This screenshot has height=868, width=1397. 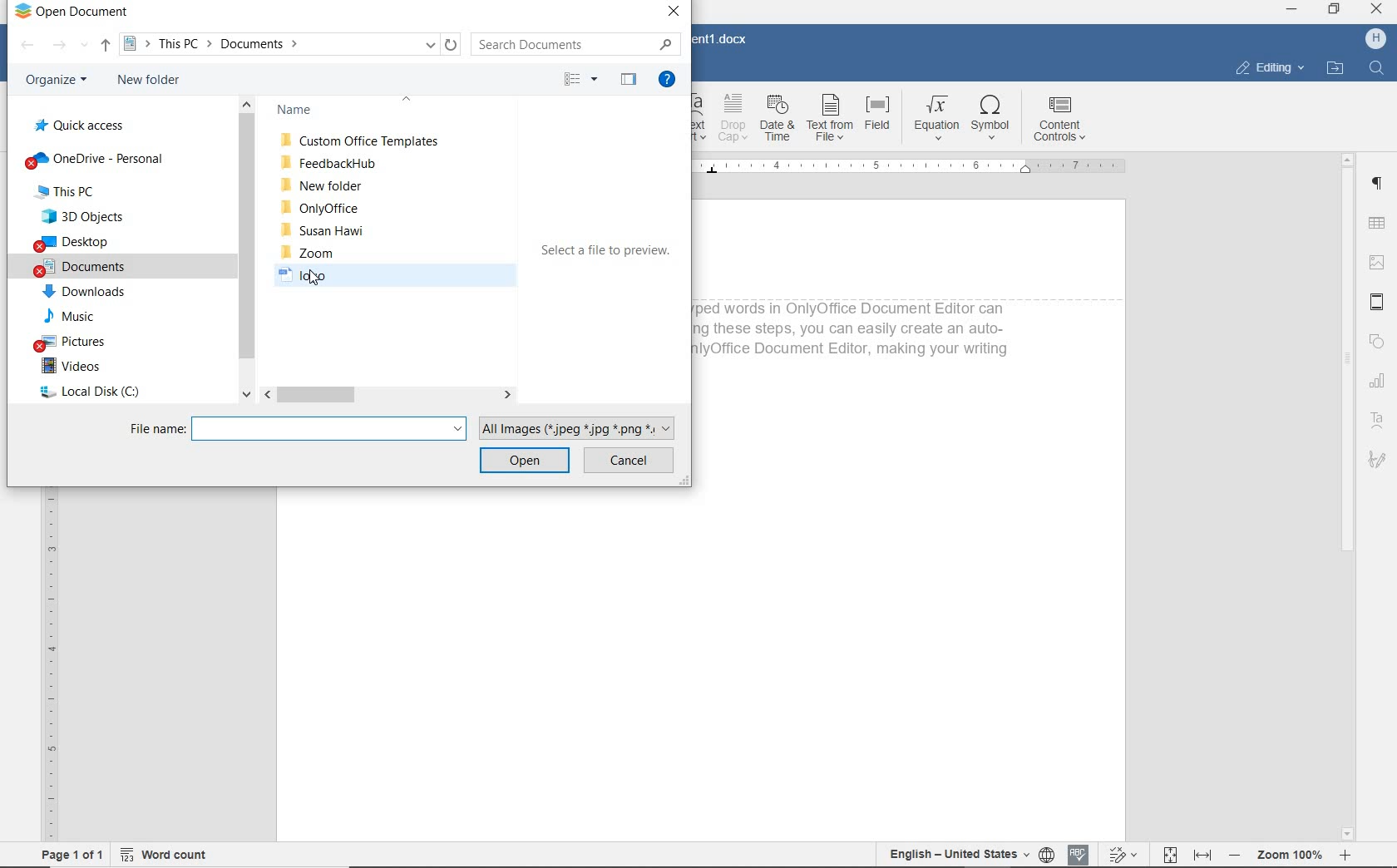 What do you see at coordinates (76, 243) in the screenshot?
I see `DESKTOP` at bounding box center [76, 243].